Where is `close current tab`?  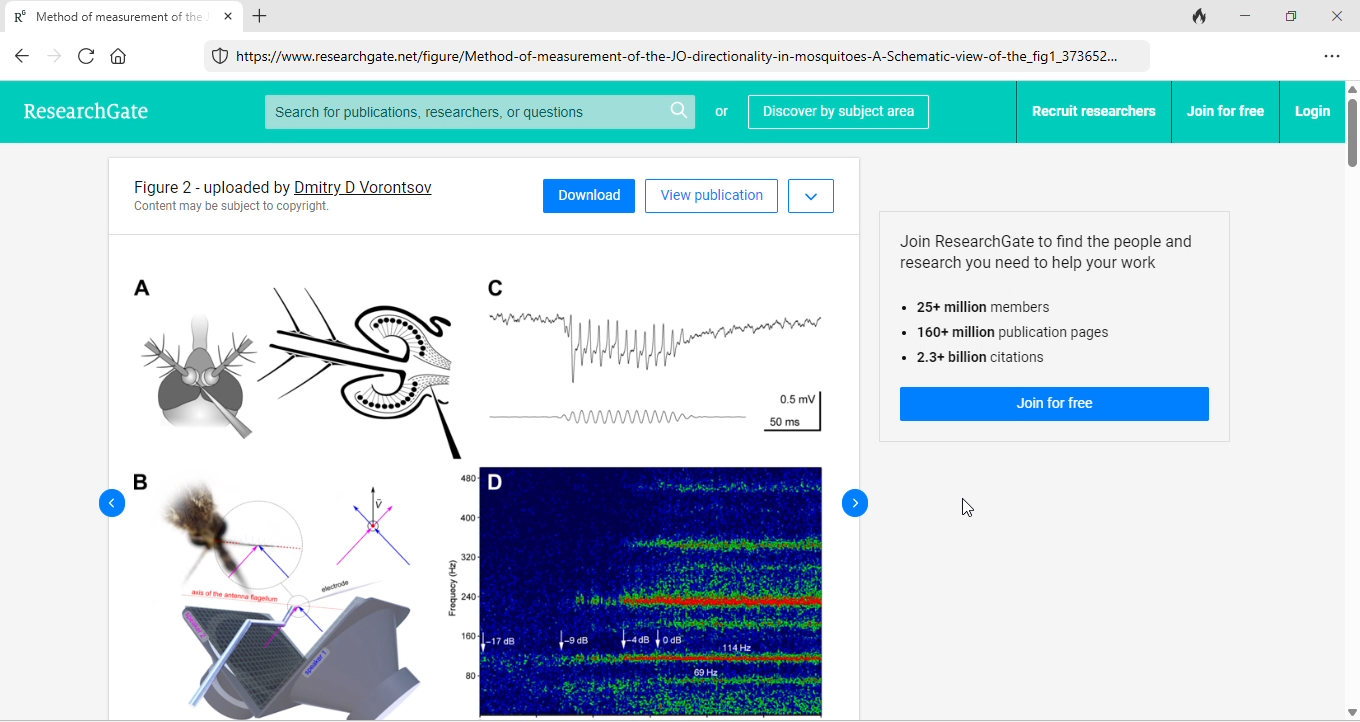 close current tab is located at coordinates (230, 15).